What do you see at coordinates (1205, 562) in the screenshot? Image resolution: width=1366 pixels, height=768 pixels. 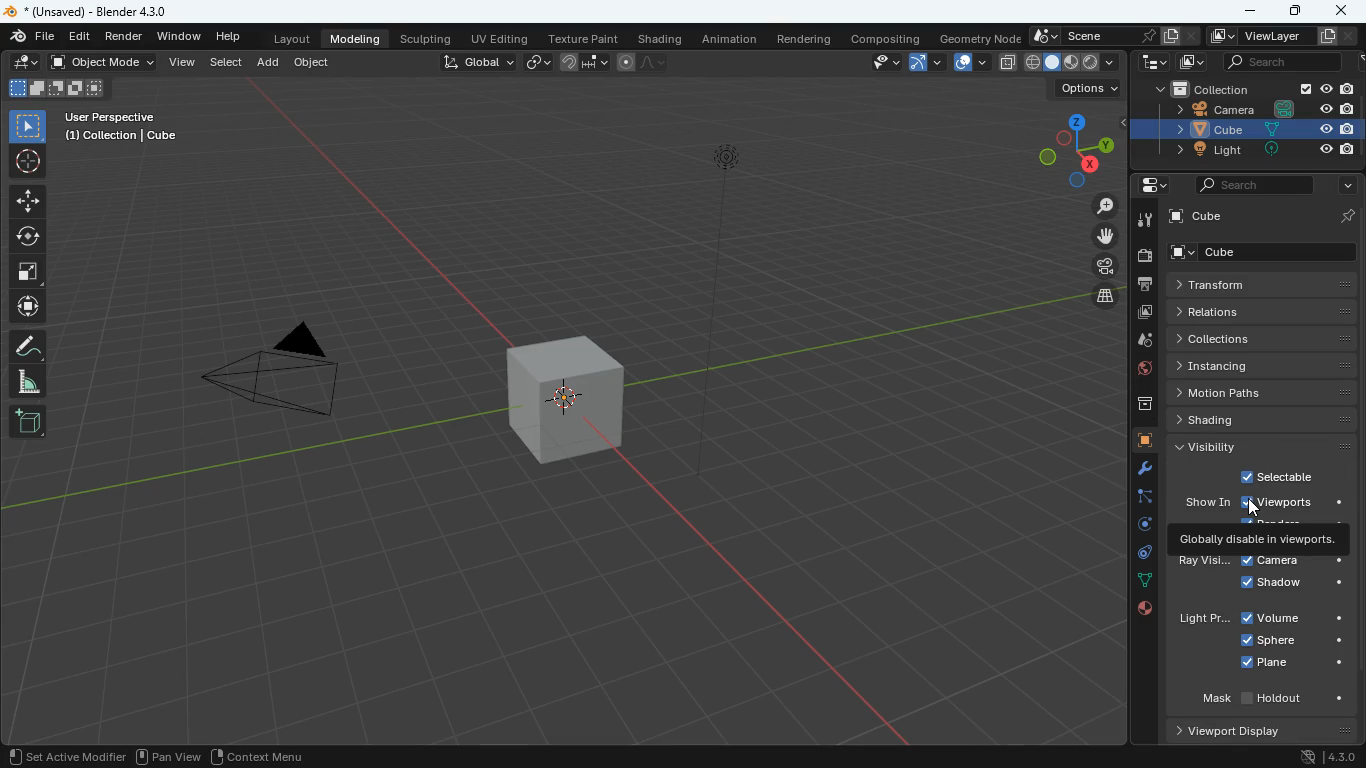 I see `ray vision` at bounding box center [1205, 562].